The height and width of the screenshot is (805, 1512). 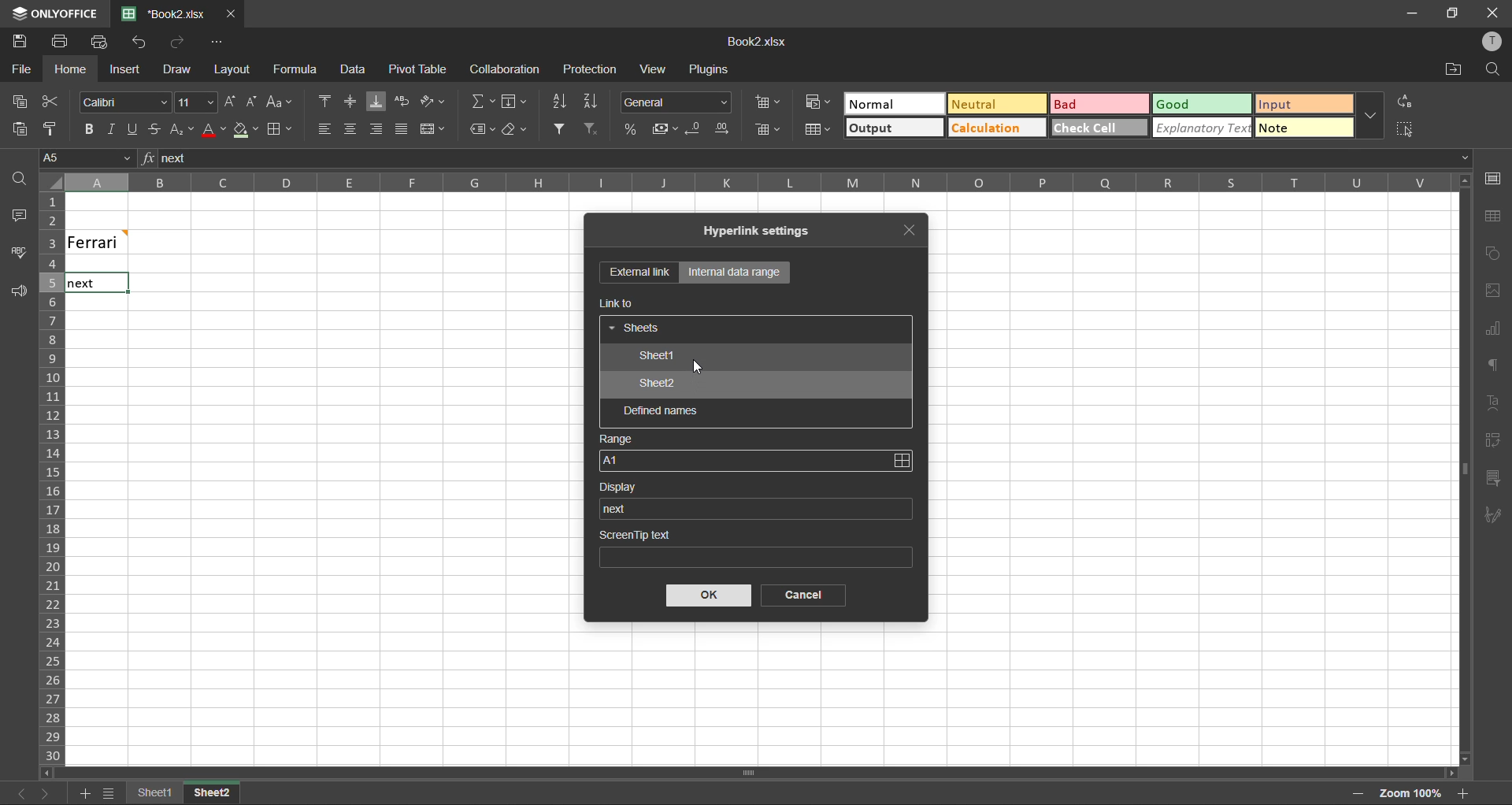 I want to click on explanatory text, so click(x=1204, y=128).